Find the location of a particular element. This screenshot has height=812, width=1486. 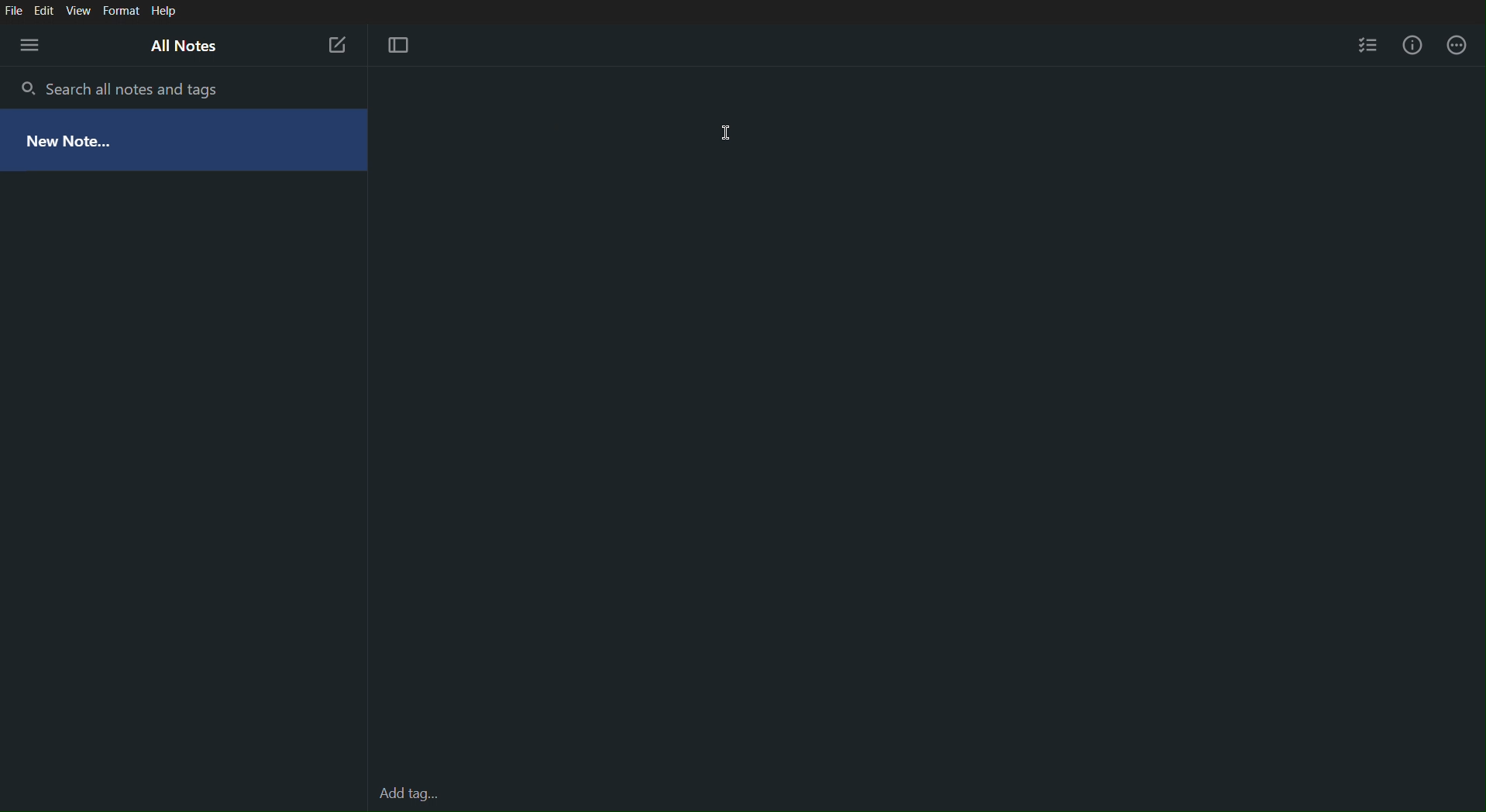

Checklist is located at coordinates (1367, 43).